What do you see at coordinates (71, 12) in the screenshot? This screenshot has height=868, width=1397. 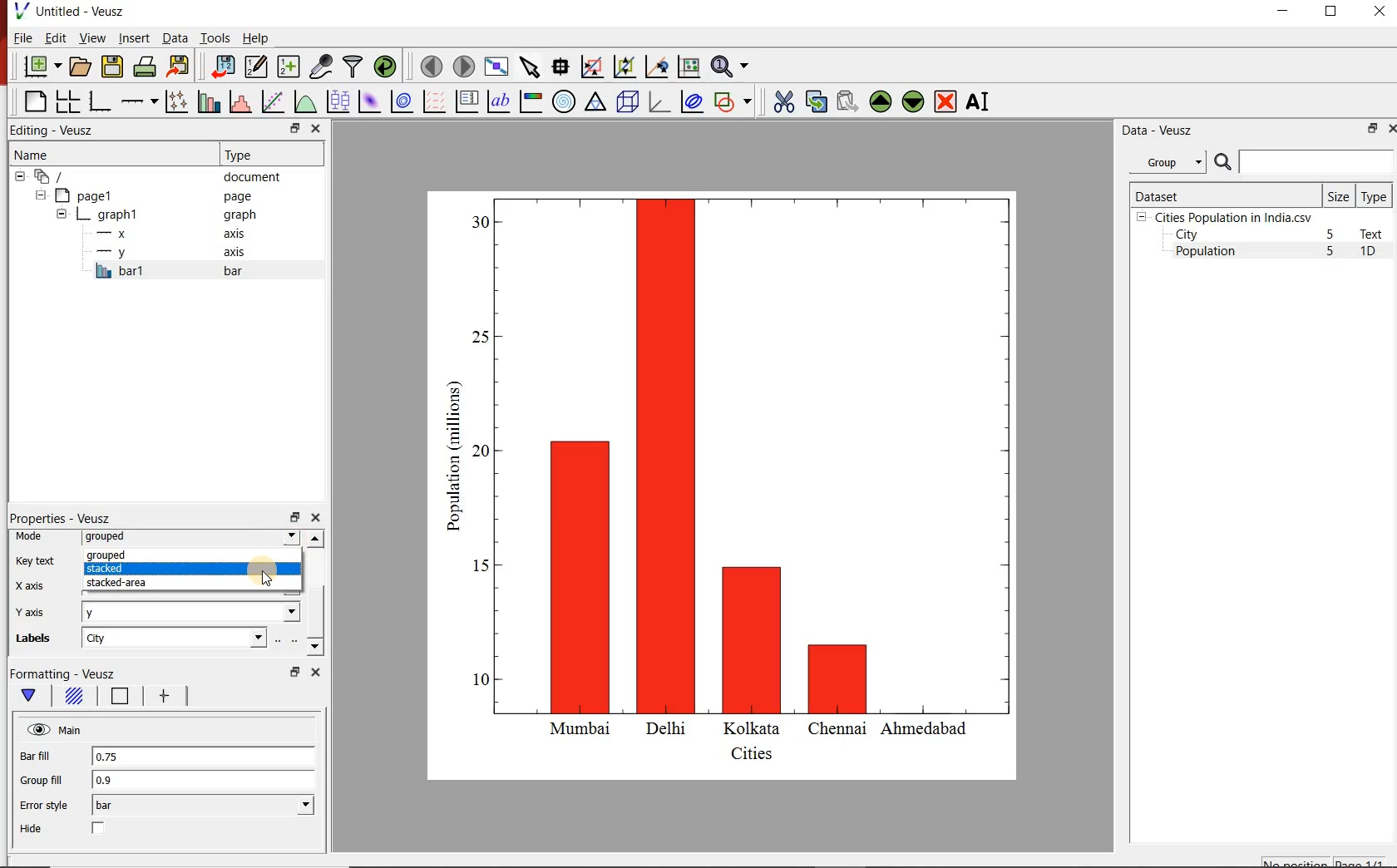 I see `Untitled-Veusz` at bounding box center [71, 12].